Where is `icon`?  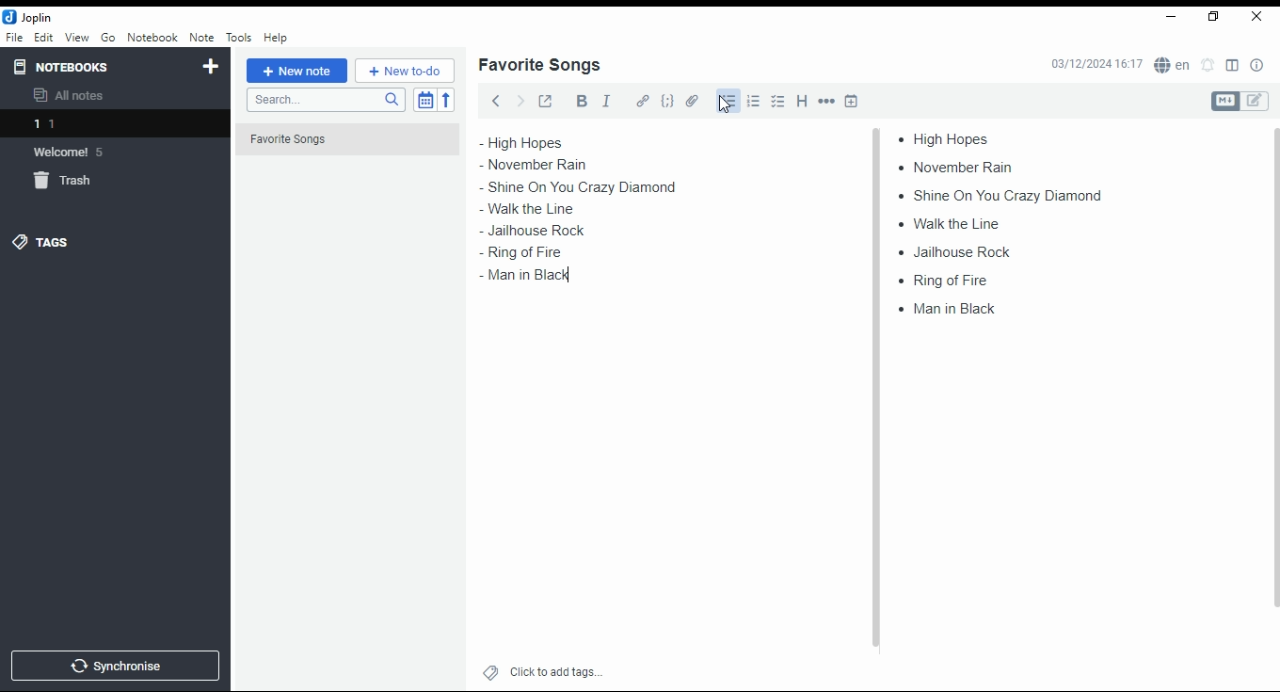
icon is located at coordinates (30, 17).